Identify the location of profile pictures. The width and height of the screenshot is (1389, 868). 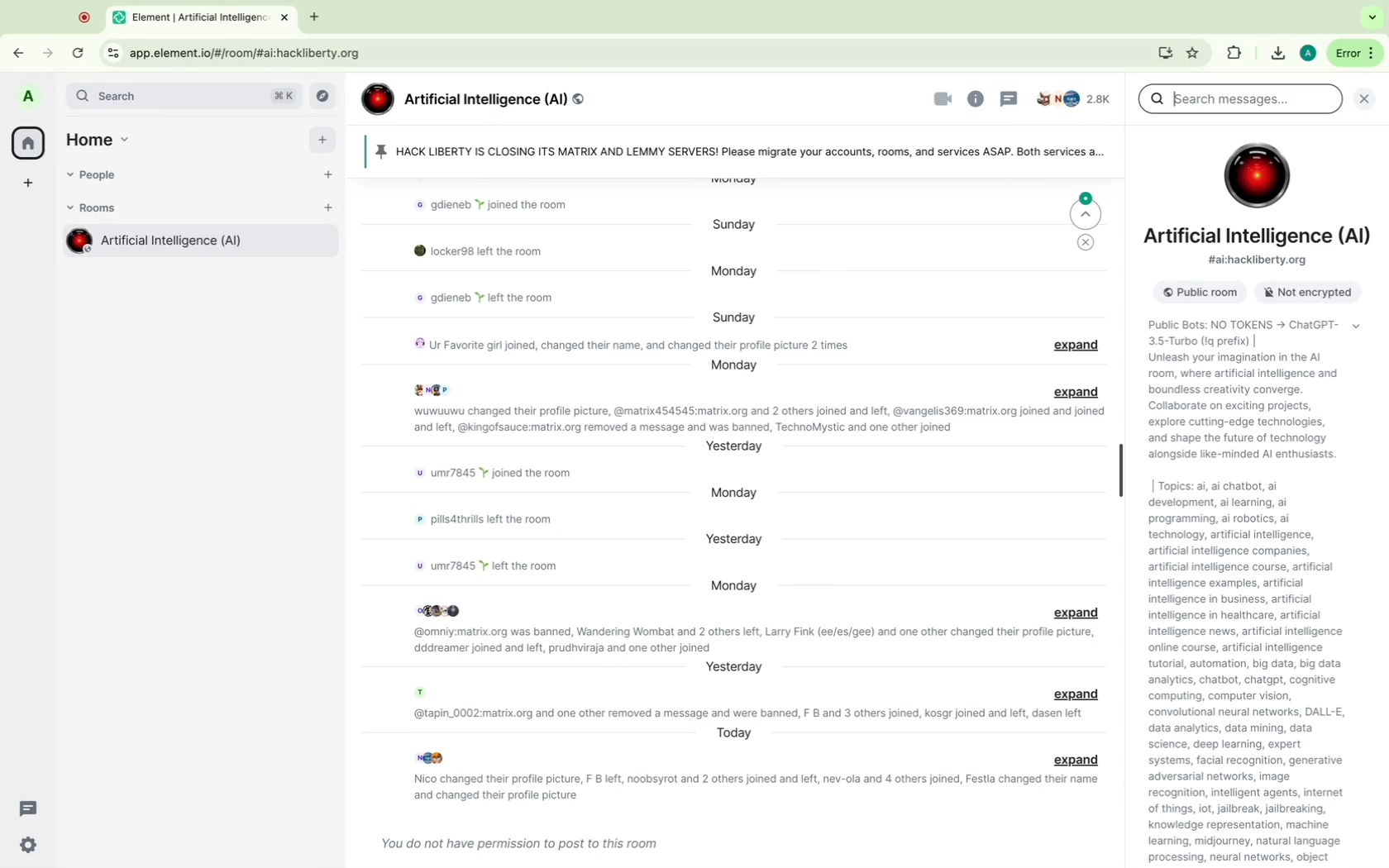
(431, 757).